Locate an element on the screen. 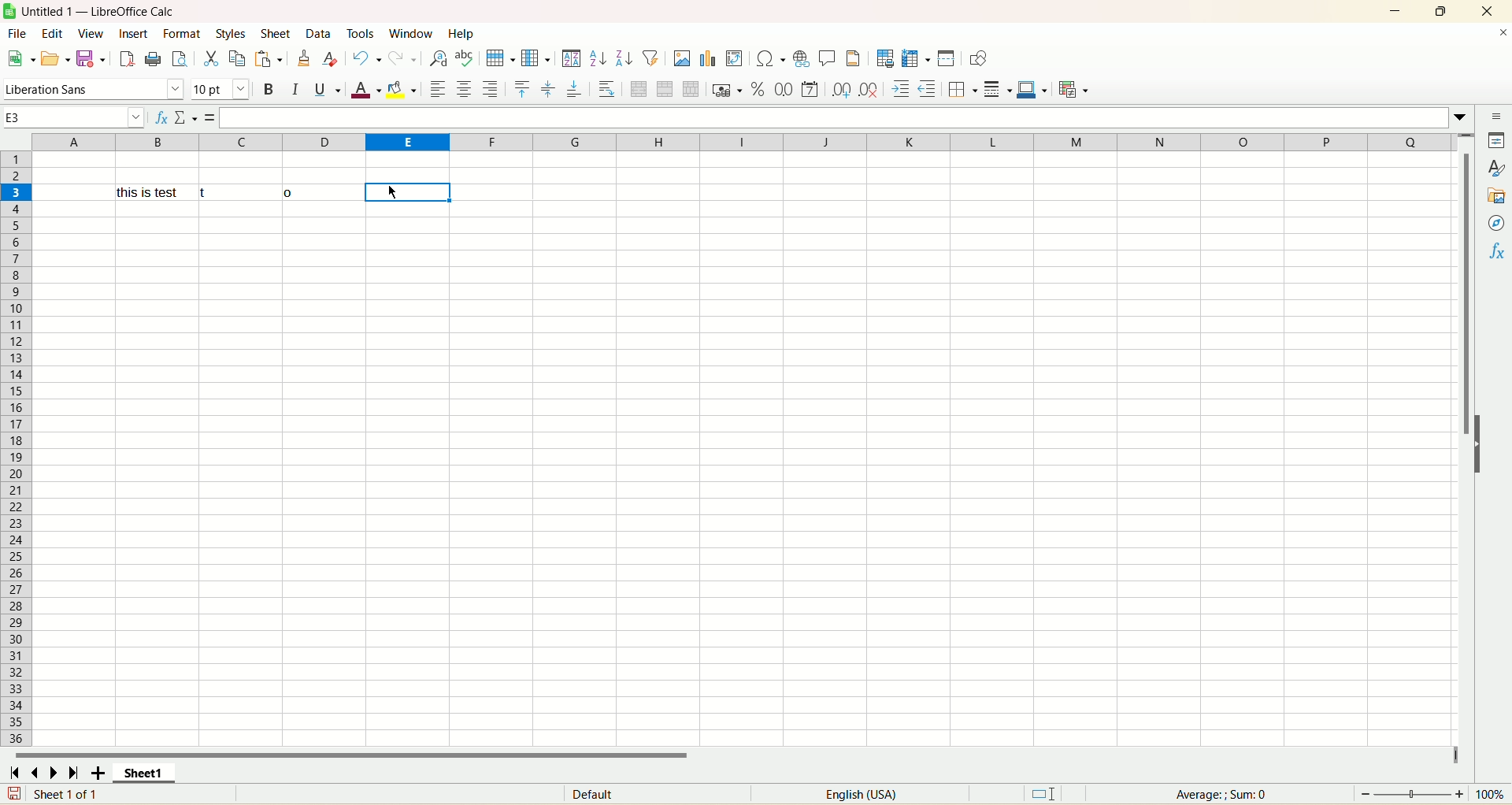  add decimal place is located at coordinates (843, 90).